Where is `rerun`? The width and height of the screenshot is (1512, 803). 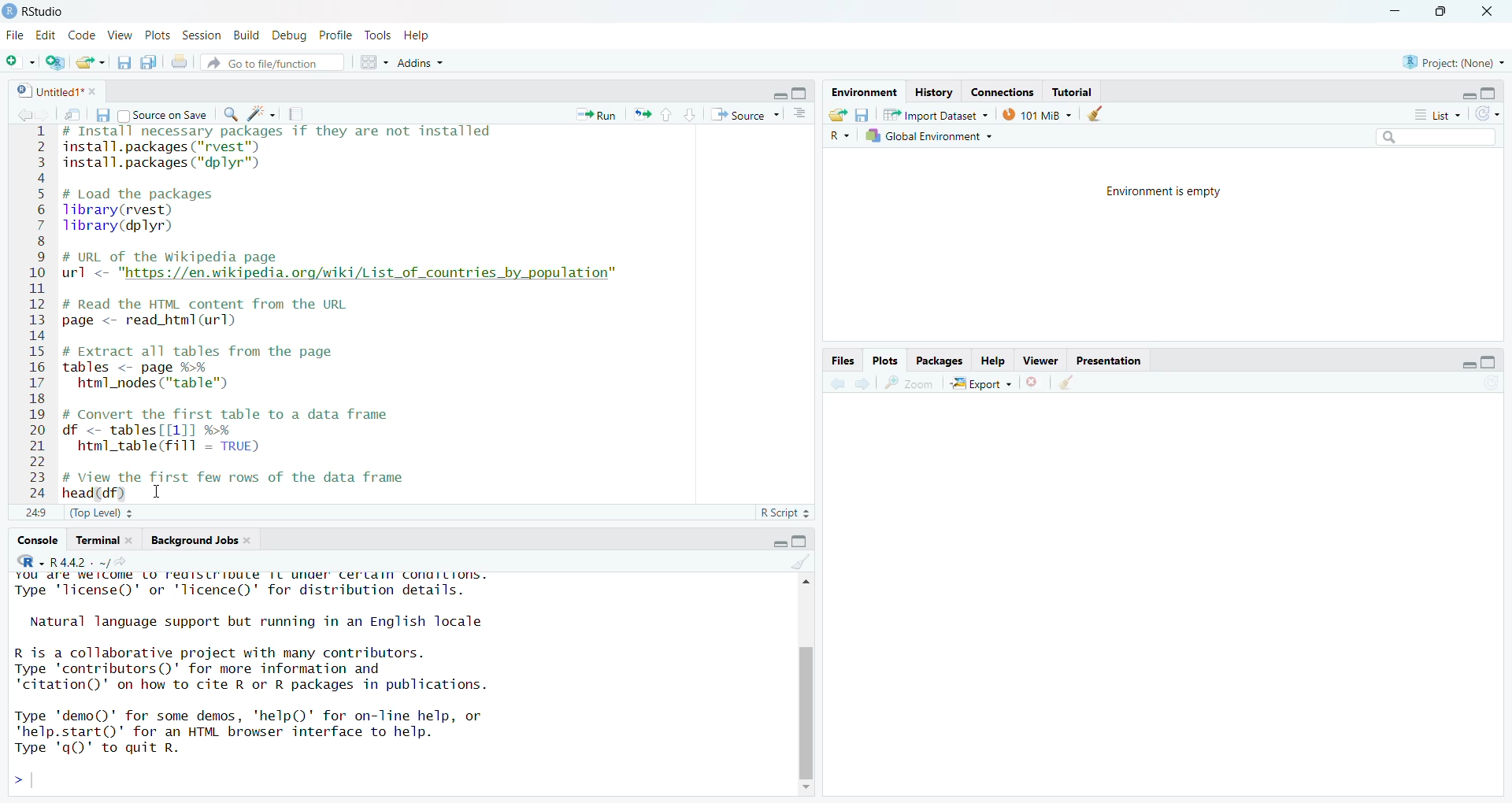 rerun is located at coordinates (642, 114).